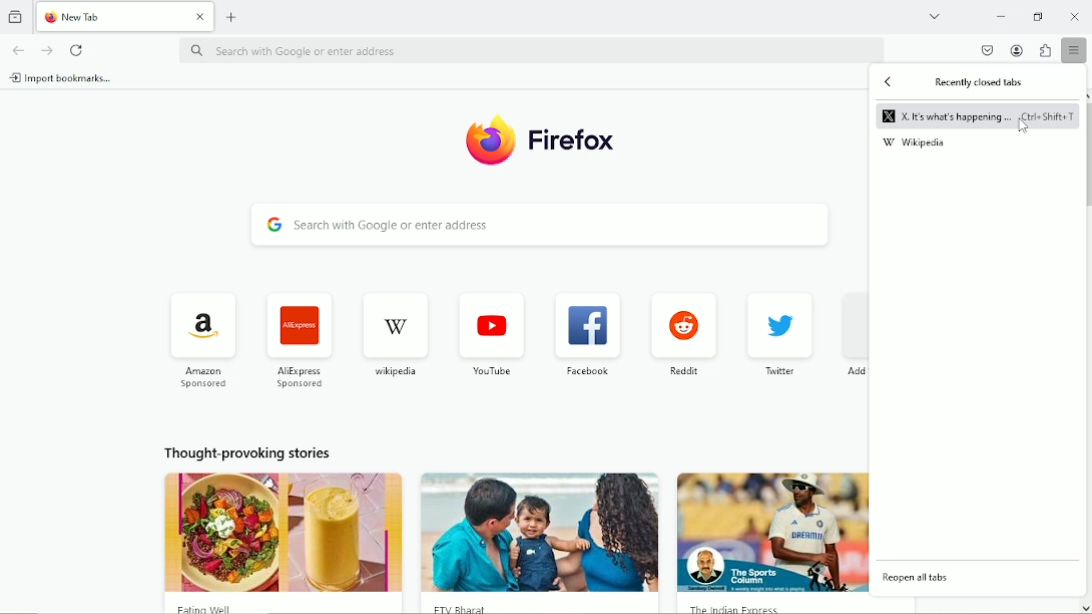 This screenshot has width=1092, height=614. What do you see at coordinates (586, 372) in the screenshot?
I see `facebook` at bounding box center [586, 372].